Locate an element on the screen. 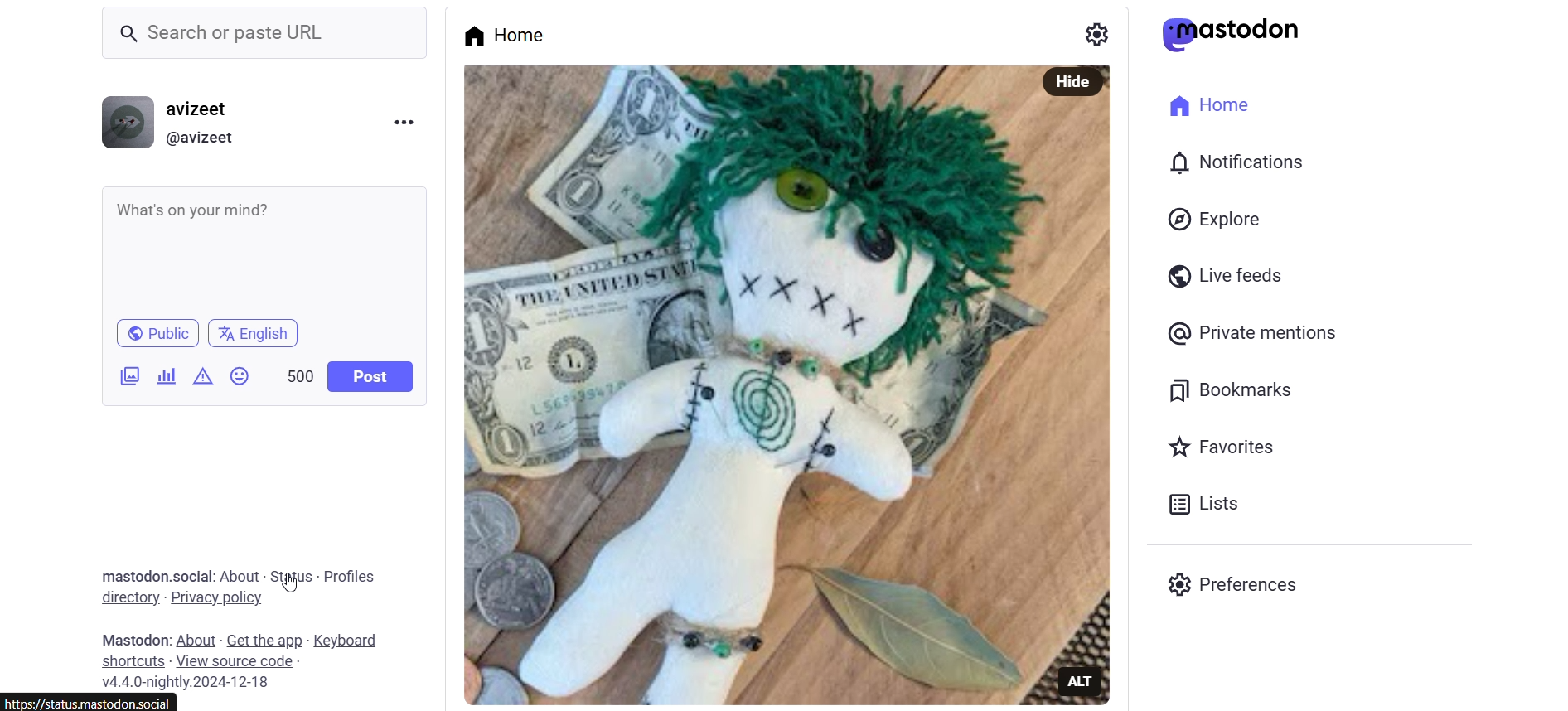 Image resolution: width=1568 pixels, height=711 pixels. ALT is located at coordinates (1077, 679).